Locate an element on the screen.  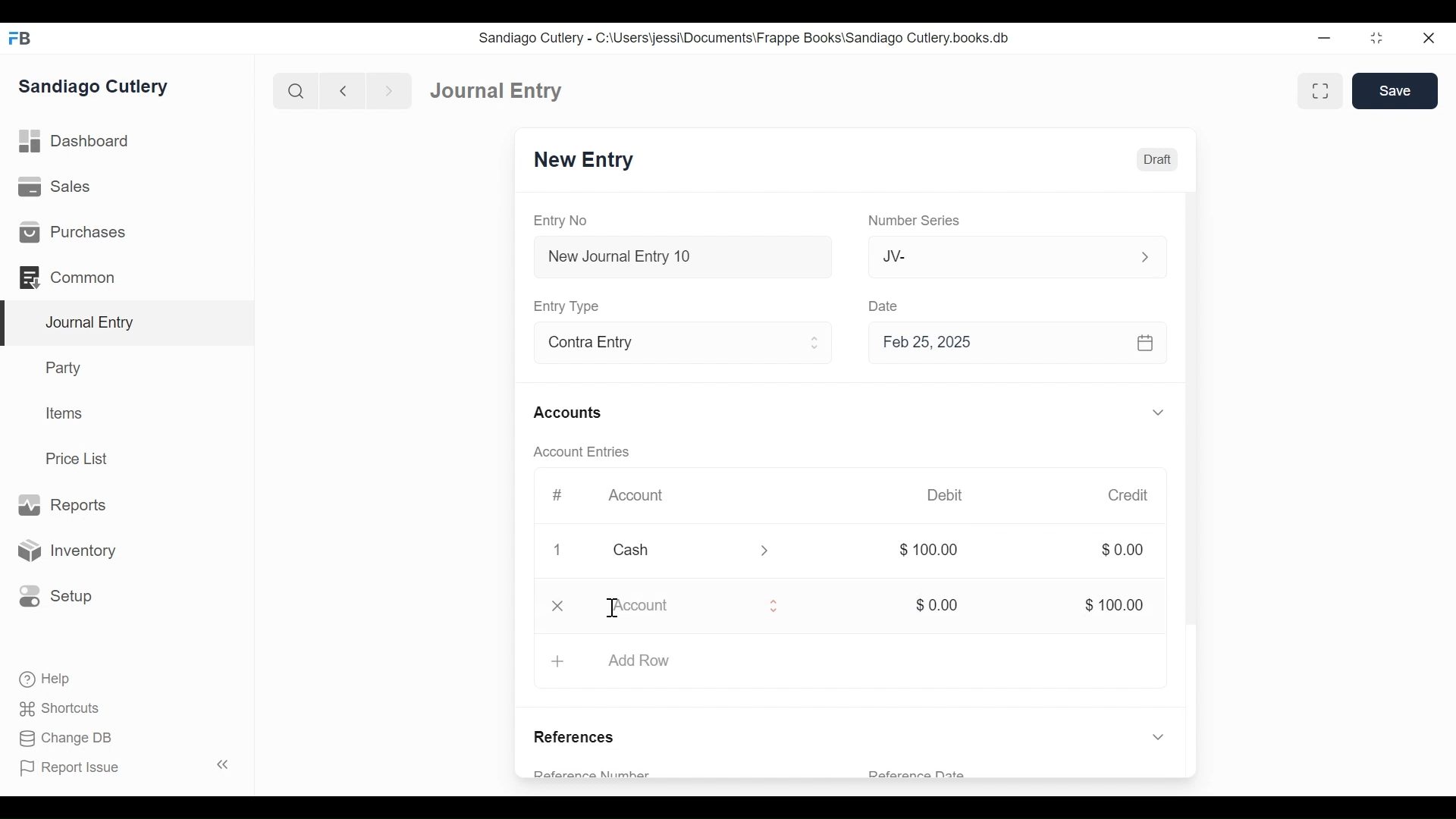
Account is located at coordinates (638, 497).